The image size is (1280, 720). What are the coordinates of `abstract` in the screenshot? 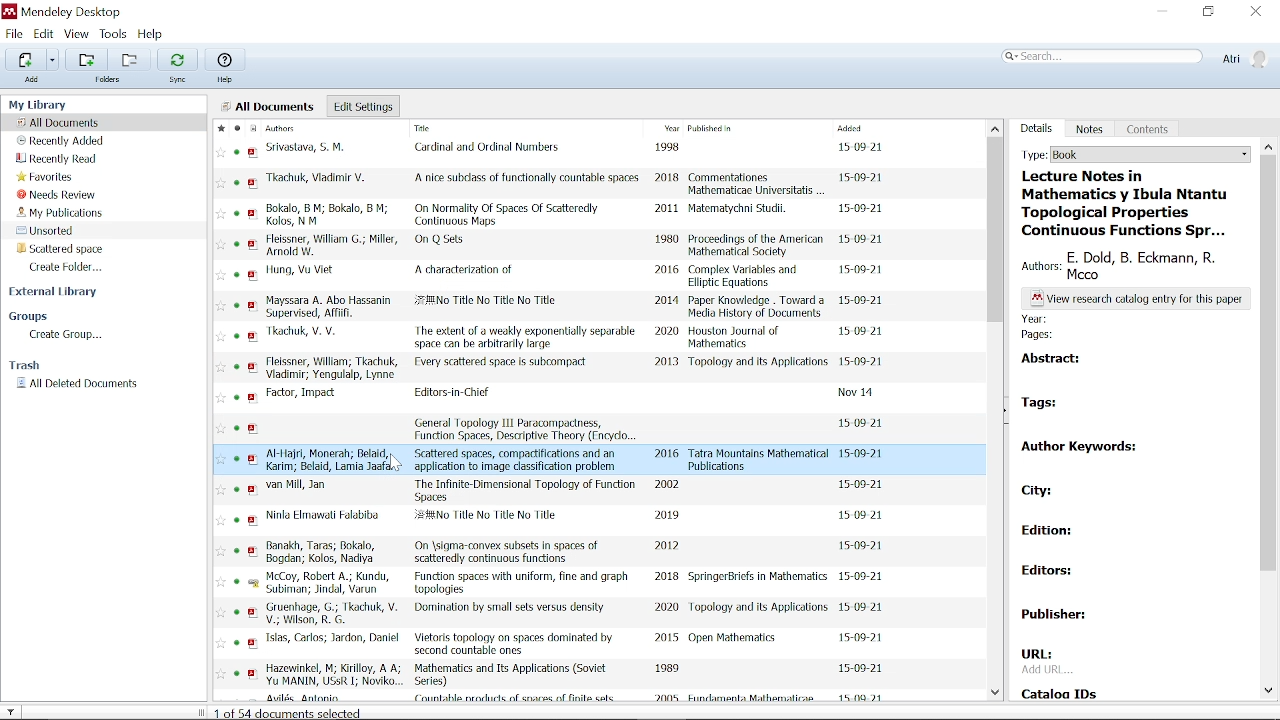 It's located at (1053, 357).